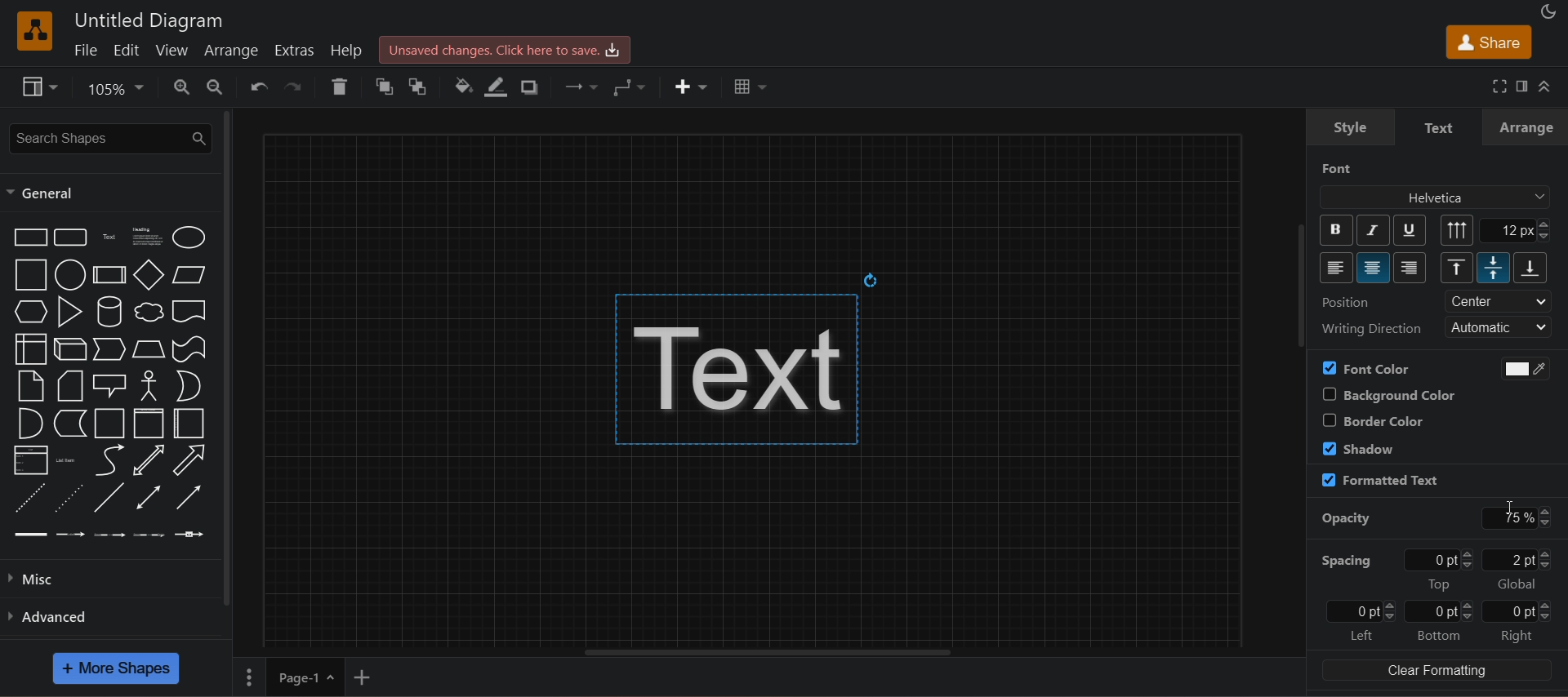 The width and height of the screenshot is (1568, 697). Describe the element at coordinates (68, 498) in the screenshot. I see `dotted line` at that location.